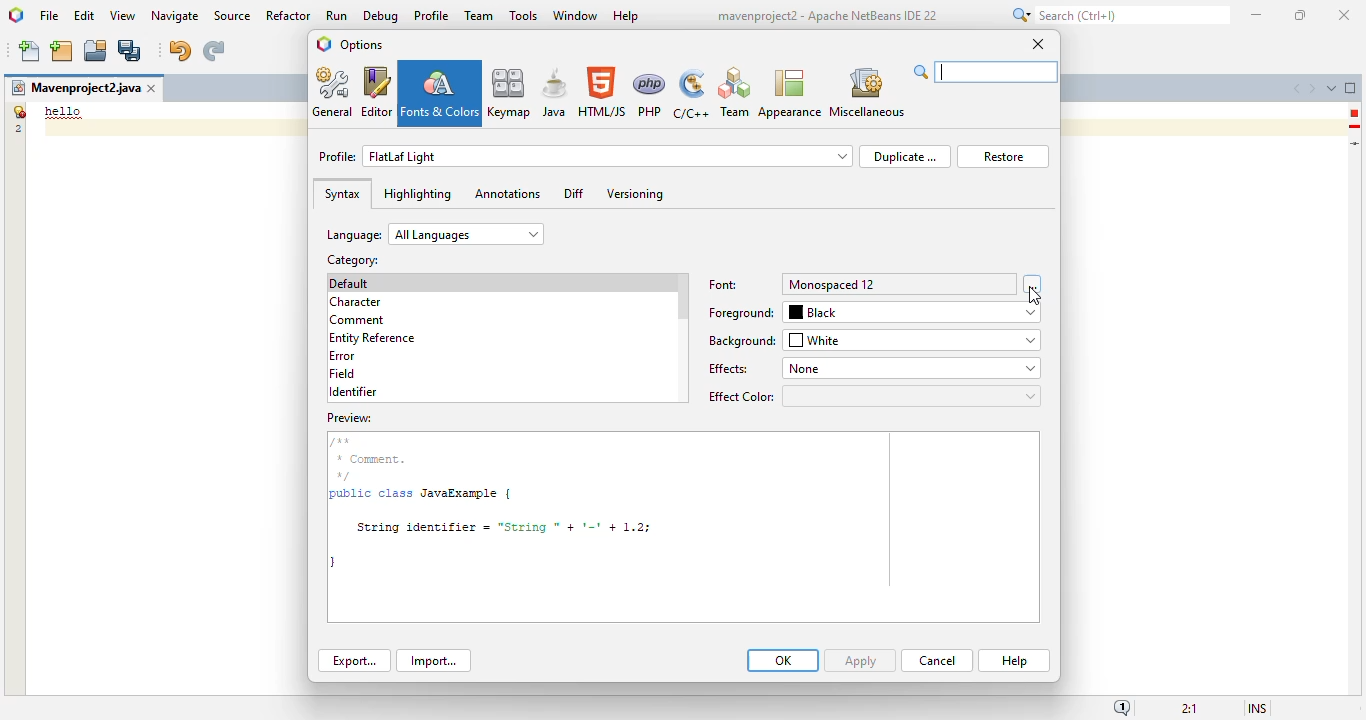 This screenshot has width=1366, height=720. Describe the element at coordinates (574, 193) in the screenshot. I see `diff` at that location.